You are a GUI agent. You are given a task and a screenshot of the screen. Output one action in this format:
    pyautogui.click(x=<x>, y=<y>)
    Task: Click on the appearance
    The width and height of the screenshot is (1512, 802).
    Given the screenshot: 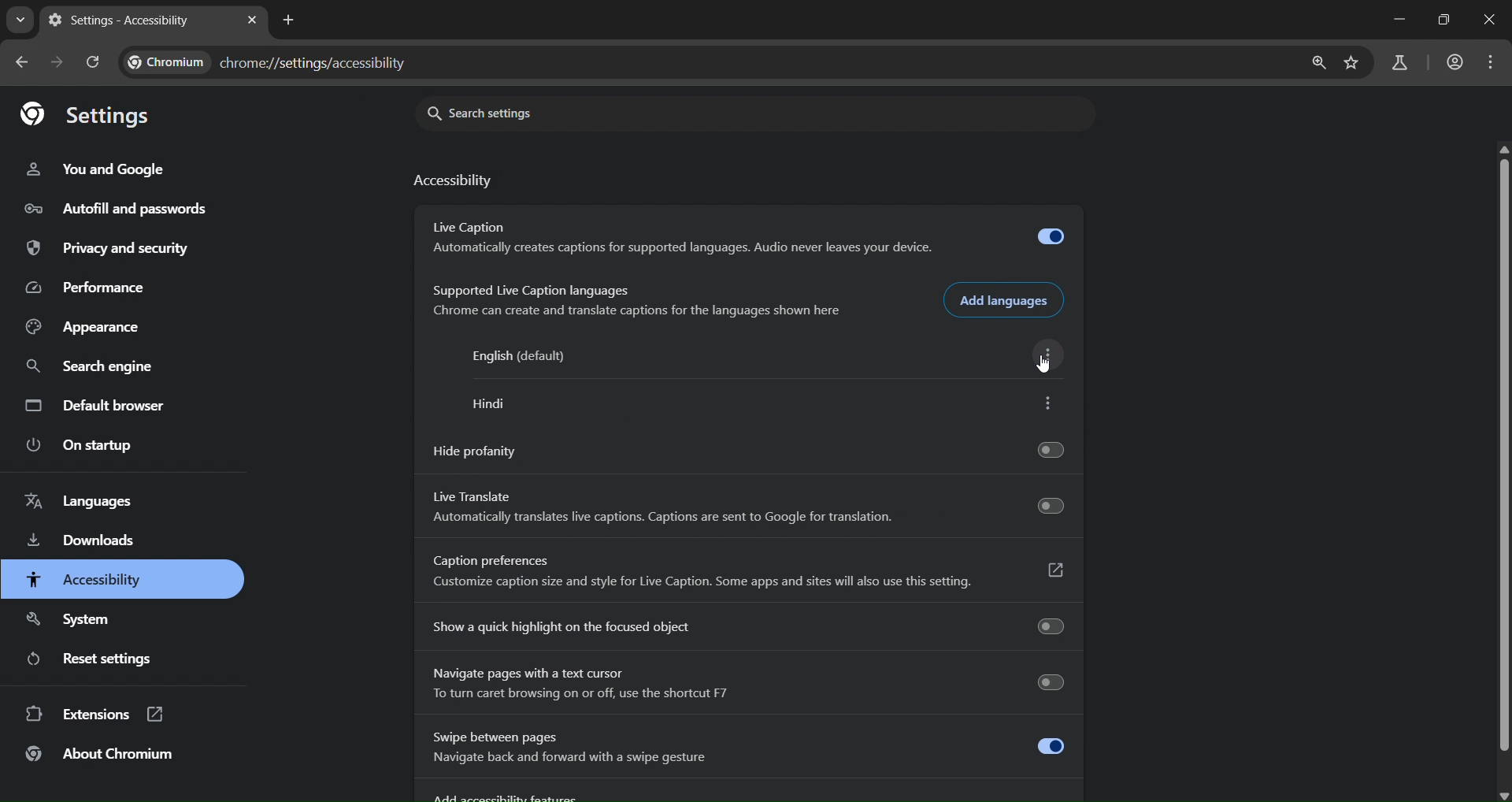 What is the action you would take?
    pyautogui.click(x=84, y=327)
    